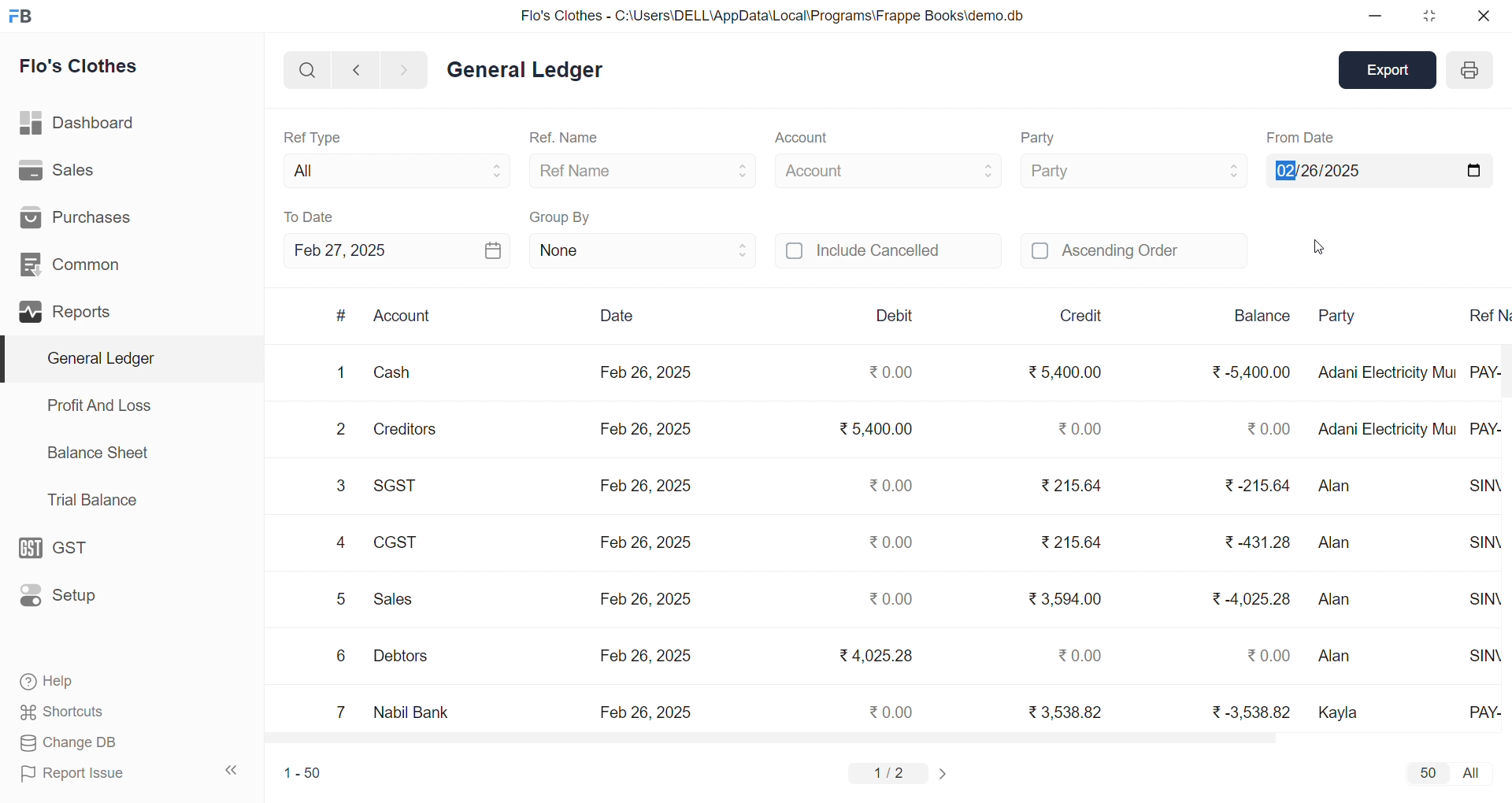 This screenshot has width=1512, height=803. What do you see at coordinates (1067, 368) in the screenshot?
I see `₹ 5,400.00` at bounding box center [1067, 368].